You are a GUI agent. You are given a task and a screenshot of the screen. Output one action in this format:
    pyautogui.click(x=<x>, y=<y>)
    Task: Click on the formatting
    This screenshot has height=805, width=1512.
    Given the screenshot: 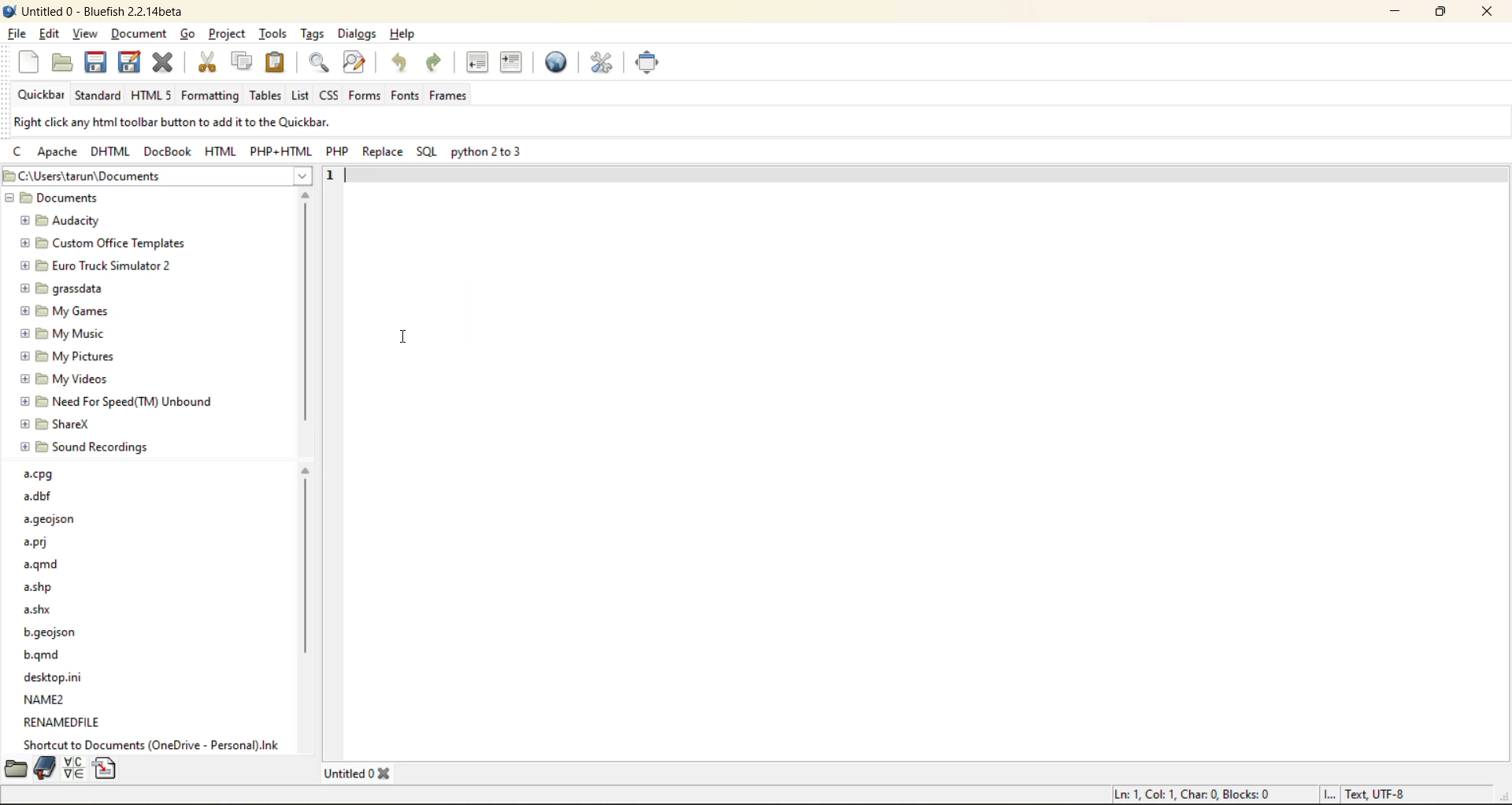 What is the action you would take?
    pyautogui.click(x=213, y=96)
    